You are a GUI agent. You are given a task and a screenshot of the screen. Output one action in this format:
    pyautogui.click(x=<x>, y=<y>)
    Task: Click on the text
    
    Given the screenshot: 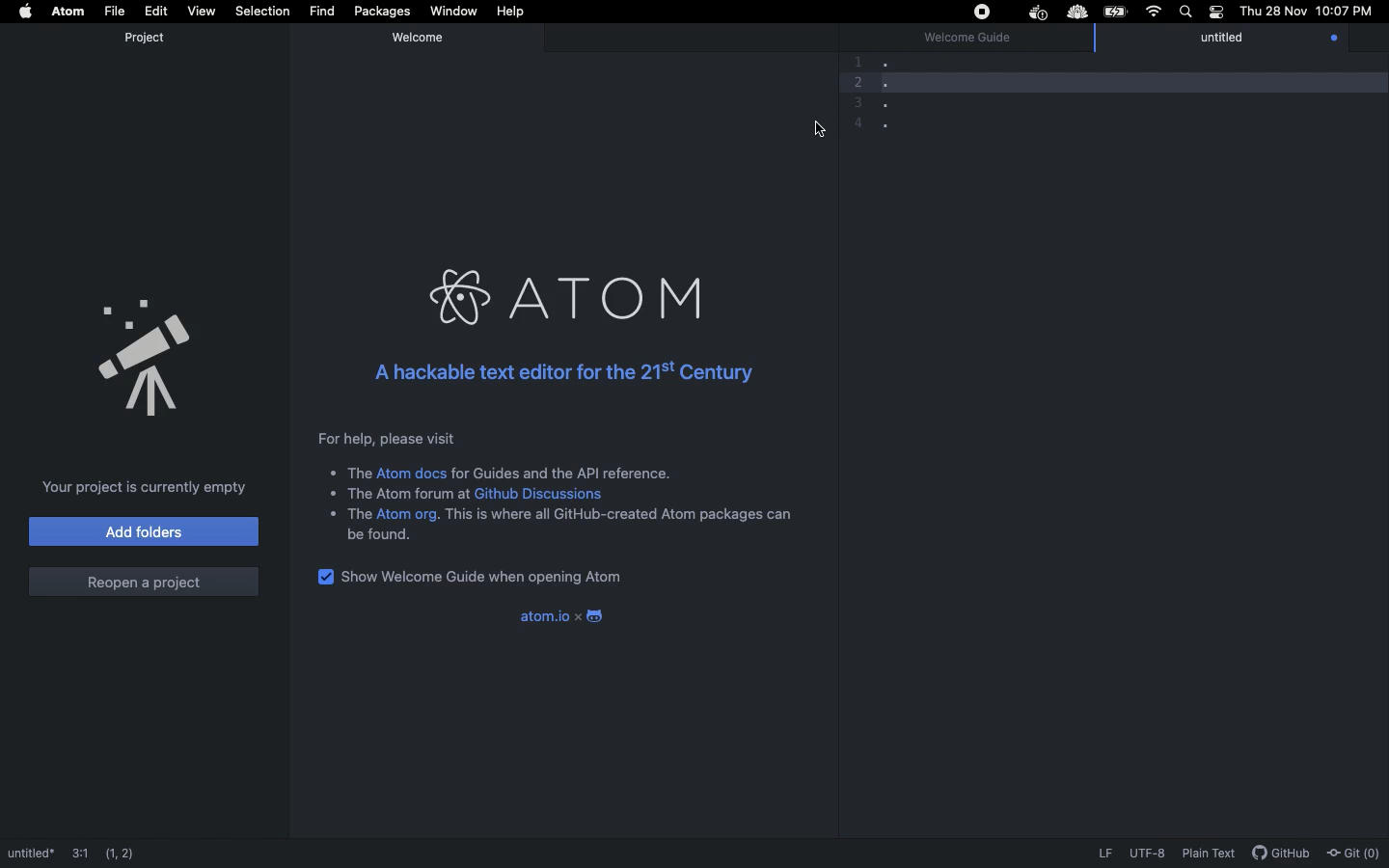 What is the action you would take?
    pyautogui.click(x=619, y=514)
    